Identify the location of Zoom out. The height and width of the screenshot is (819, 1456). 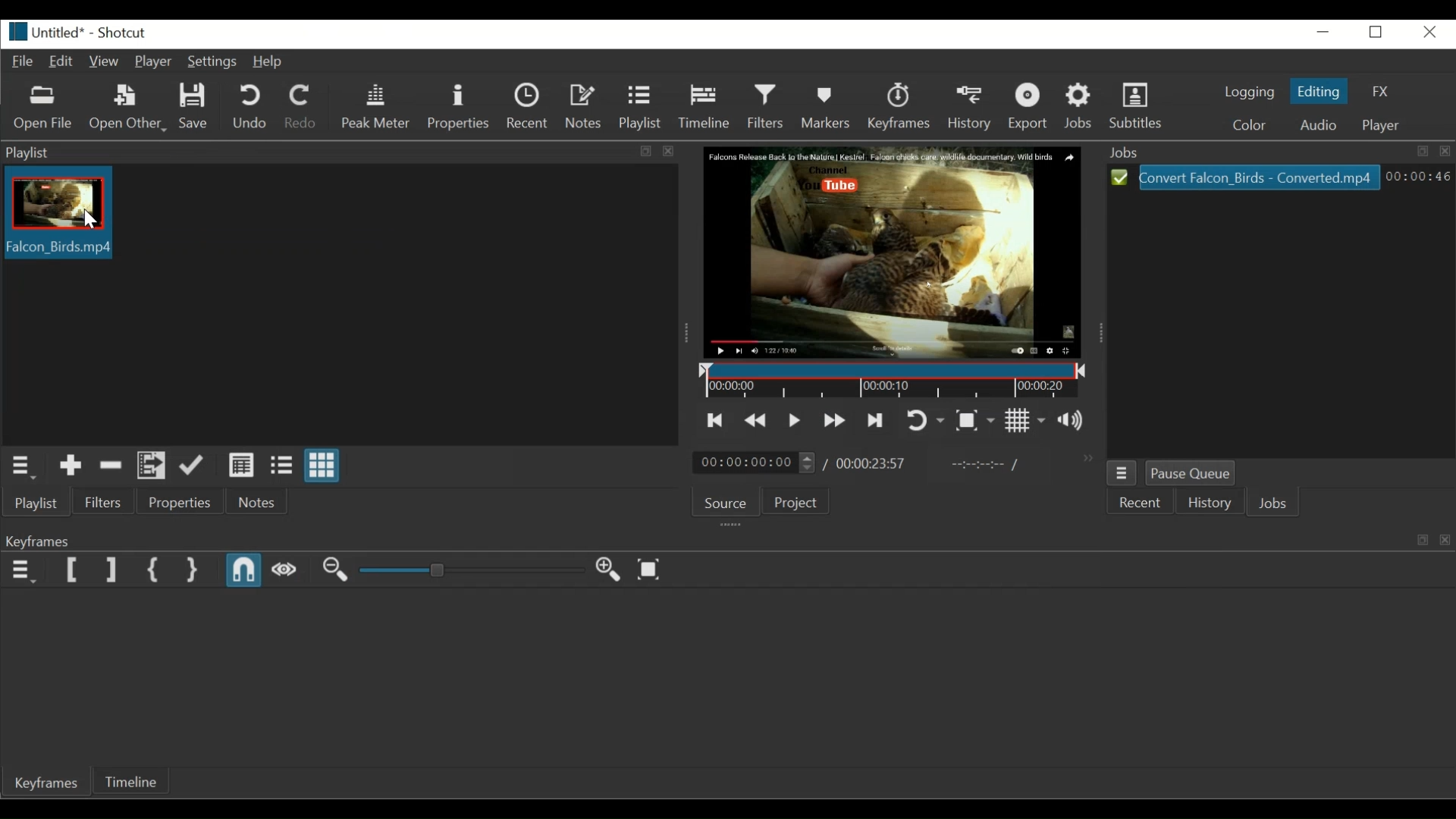
(335, 570).